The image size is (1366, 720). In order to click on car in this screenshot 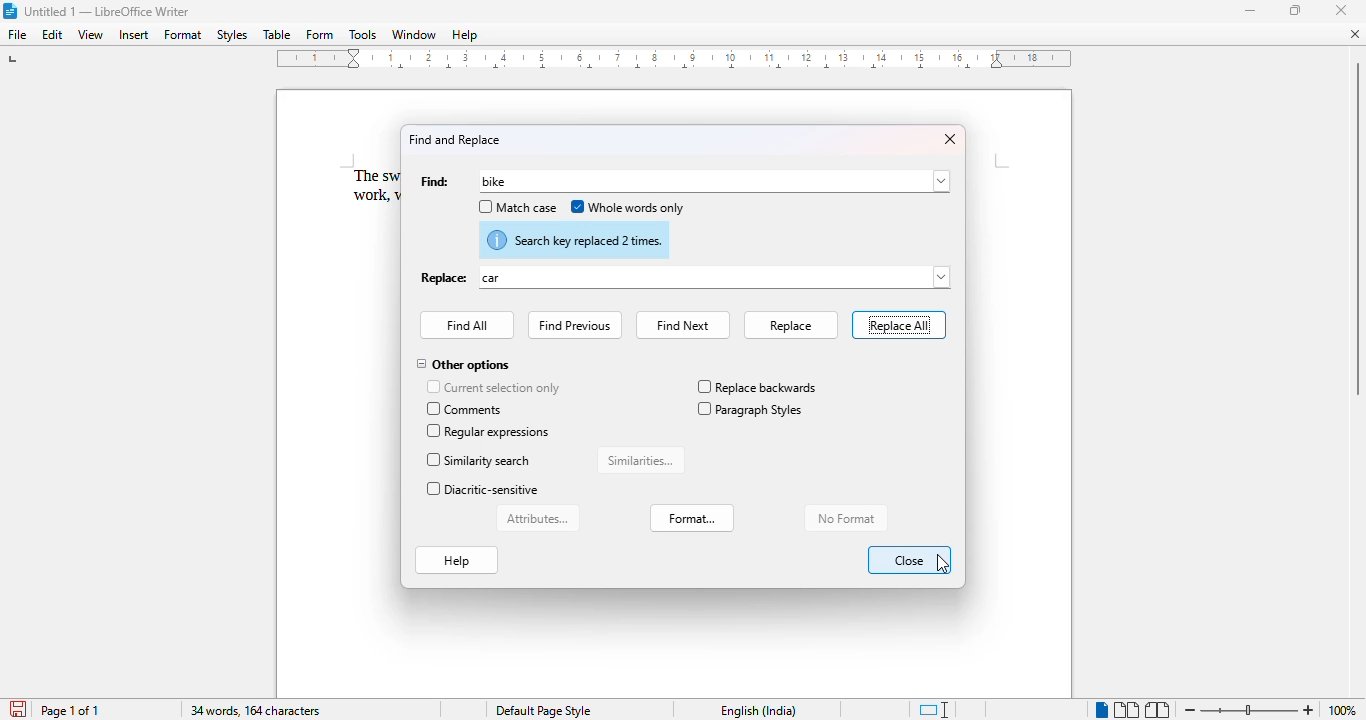, I will do `click(493, 277)`.